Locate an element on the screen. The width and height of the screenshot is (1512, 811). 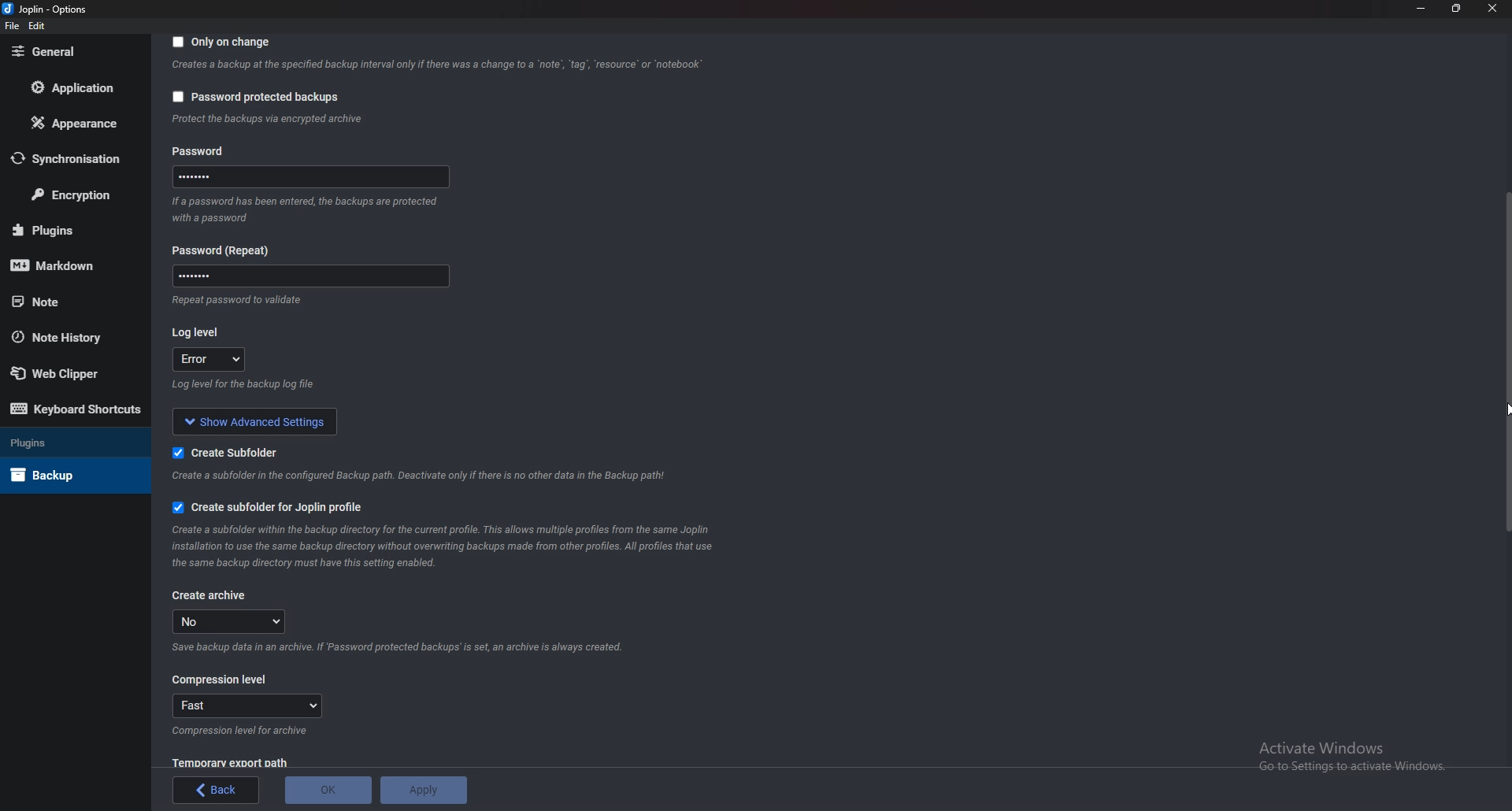
O K is located at coordinates (328, 791).